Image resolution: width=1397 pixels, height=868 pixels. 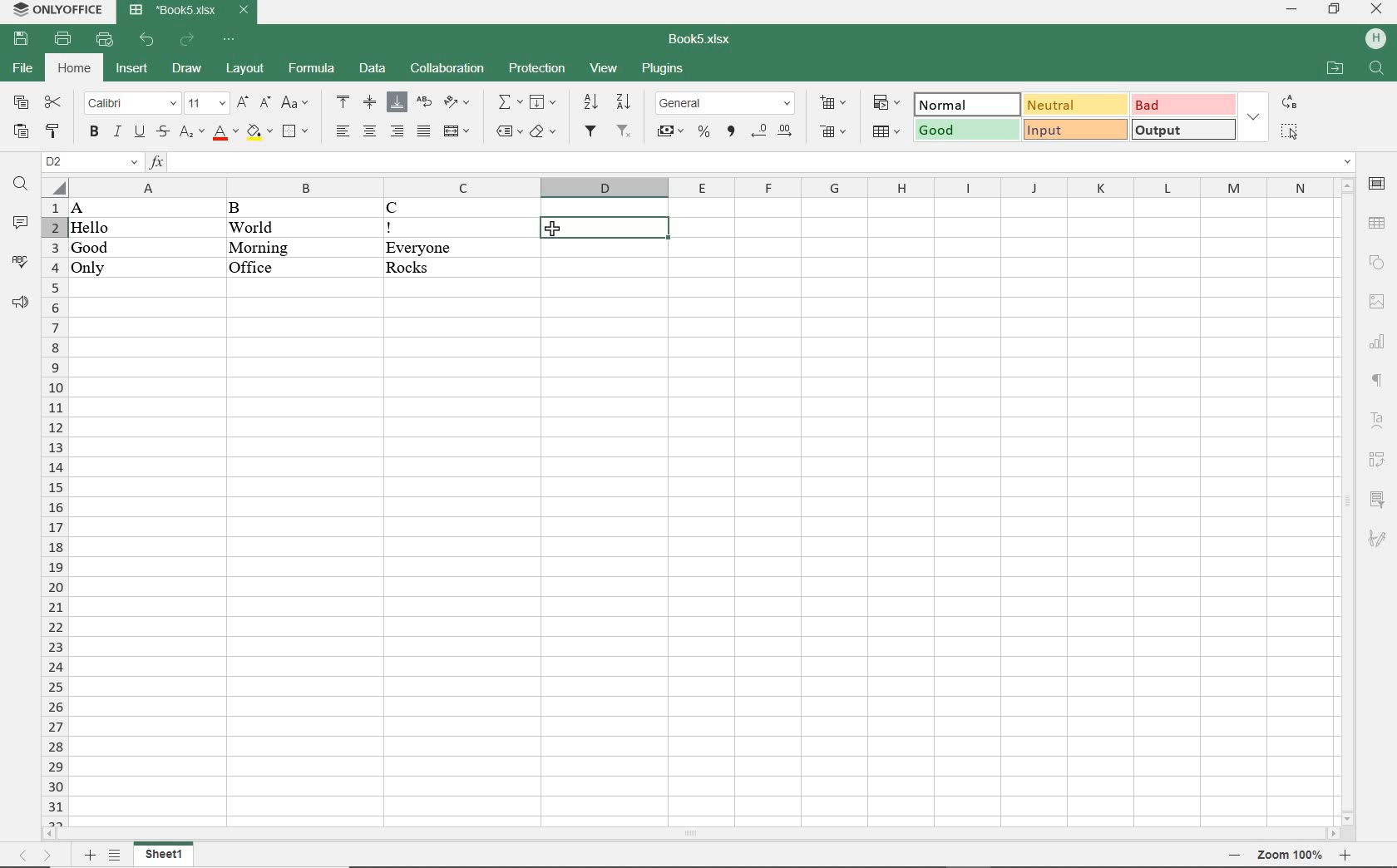 I want to click on delete cells, so click(x=837, y=132).